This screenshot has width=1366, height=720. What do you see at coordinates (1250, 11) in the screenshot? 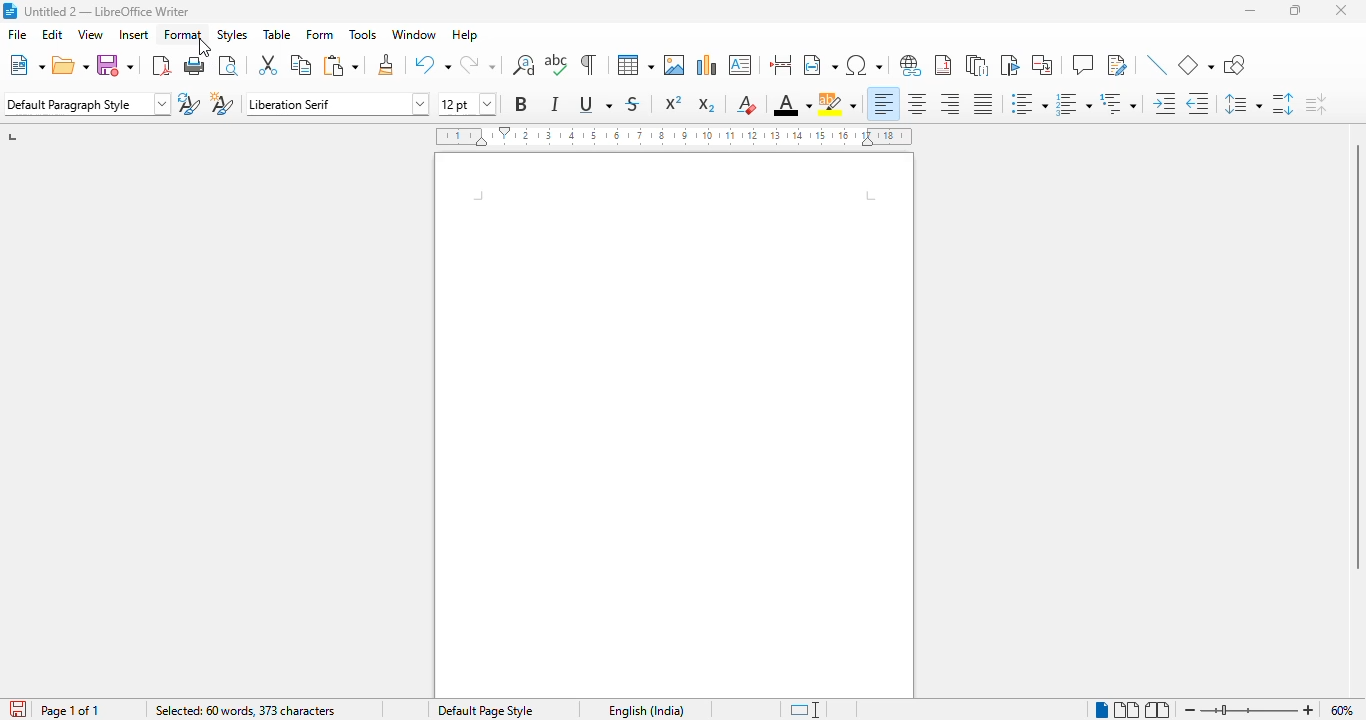
I see `minimize` at bounding box center [1250, 11].